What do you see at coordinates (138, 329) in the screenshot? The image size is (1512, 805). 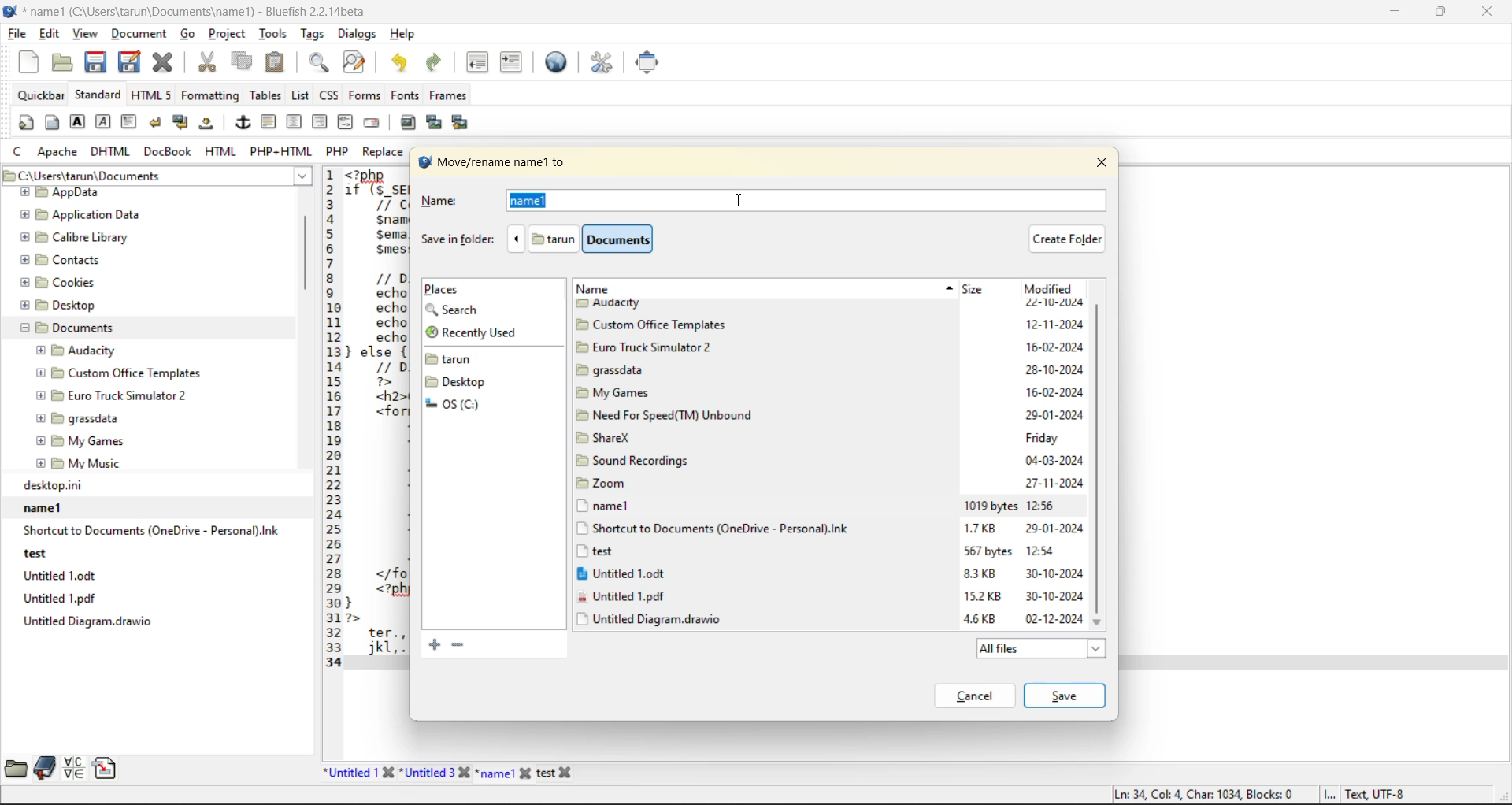 I see `folder explorer` at bounding box center [138, 329].